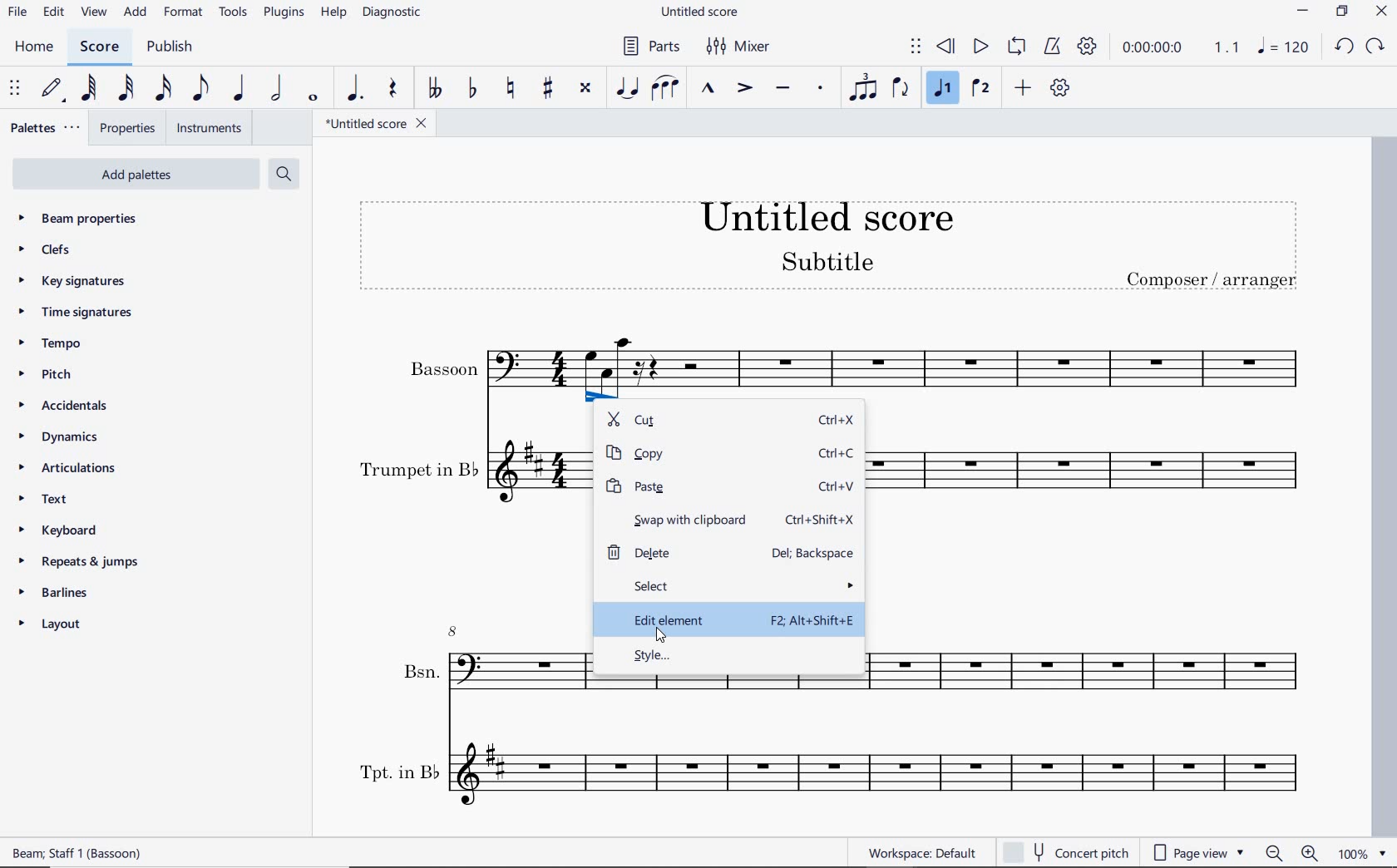  What do you see at coordinates (822, 89) in the screenshot?
I see `staccato` at bounding box center [822, 89].